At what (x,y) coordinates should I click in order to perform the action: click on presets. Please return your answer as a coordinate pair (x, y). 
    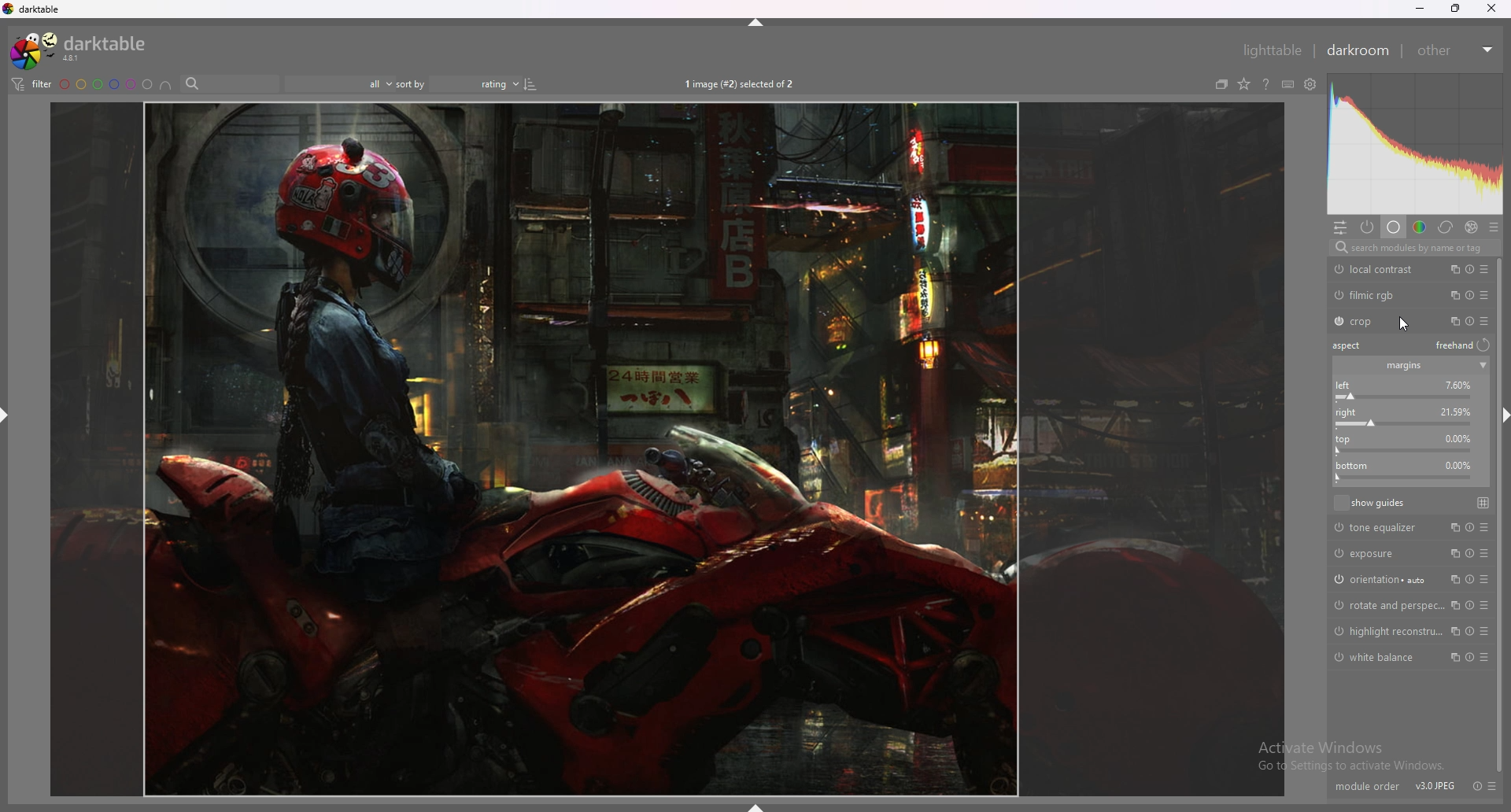
    Looking at the image, I should click on (1484, 320).